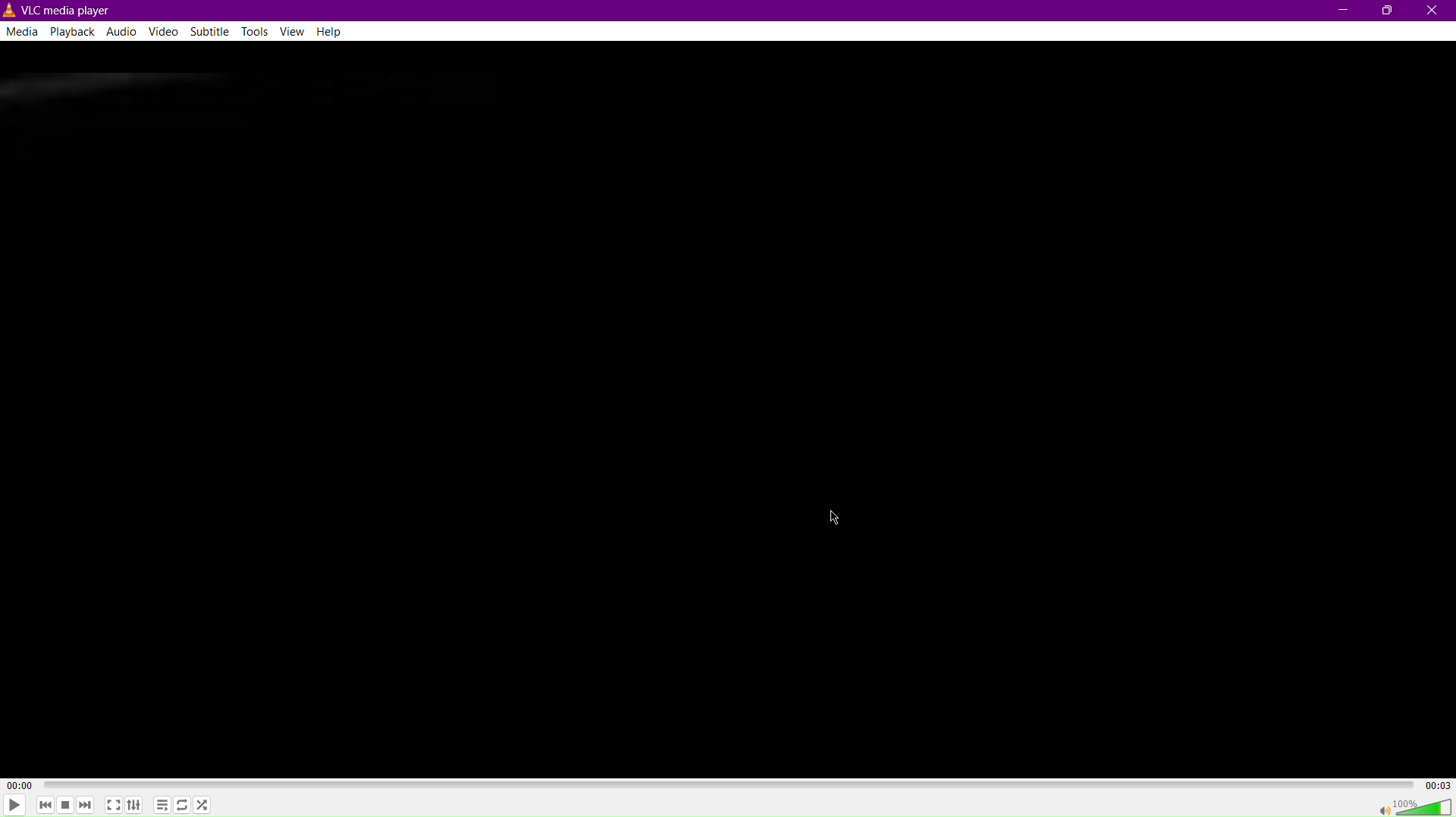 This screenshot has width=1456, height=817. What do you see at coordinates (830, 517) in the screenshot?
I see `Cursor Position AFTER_LAST_ACTION` at bounding box center [830, 517].